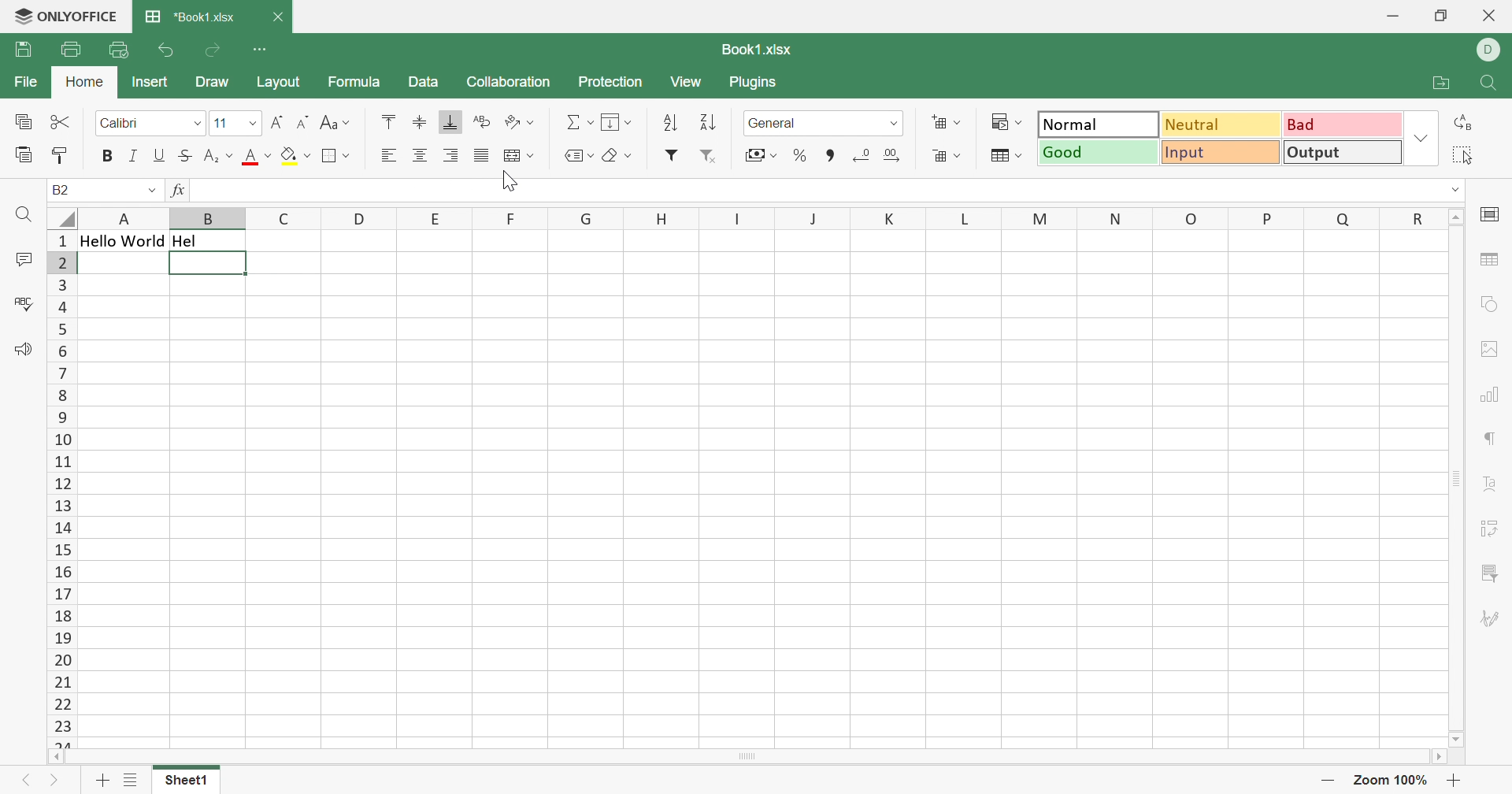  Describe the element at coordinates (892, 158) in the screenshot. I see `Increase decimal` at that location.